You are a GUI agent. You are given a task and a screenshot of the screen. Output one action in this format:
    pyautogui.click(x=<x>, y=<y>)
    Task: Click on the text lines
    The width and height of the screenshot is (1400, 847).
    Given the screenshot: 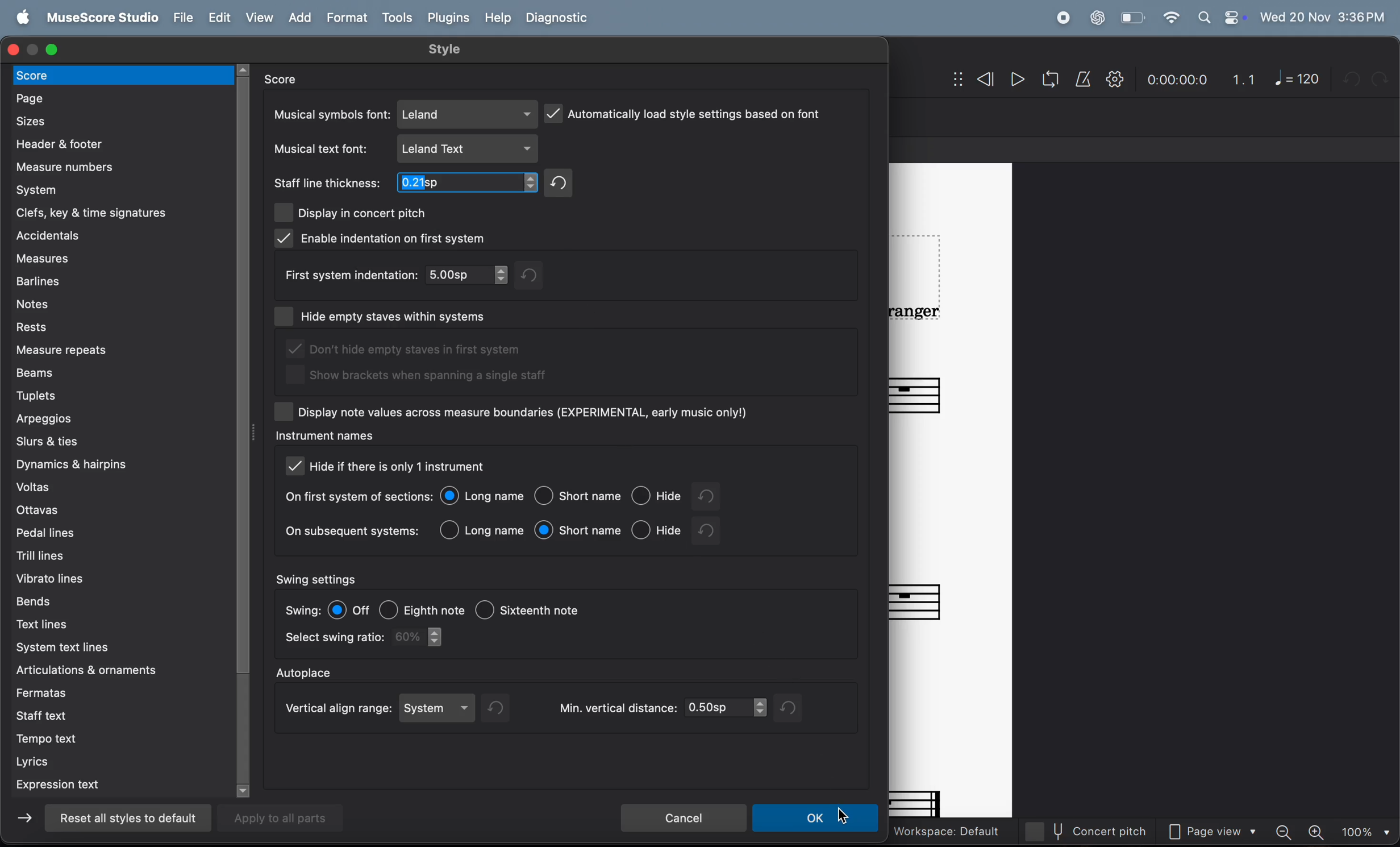 What is the action you would take?
    pyautogui.click(x=118, y=624)
    